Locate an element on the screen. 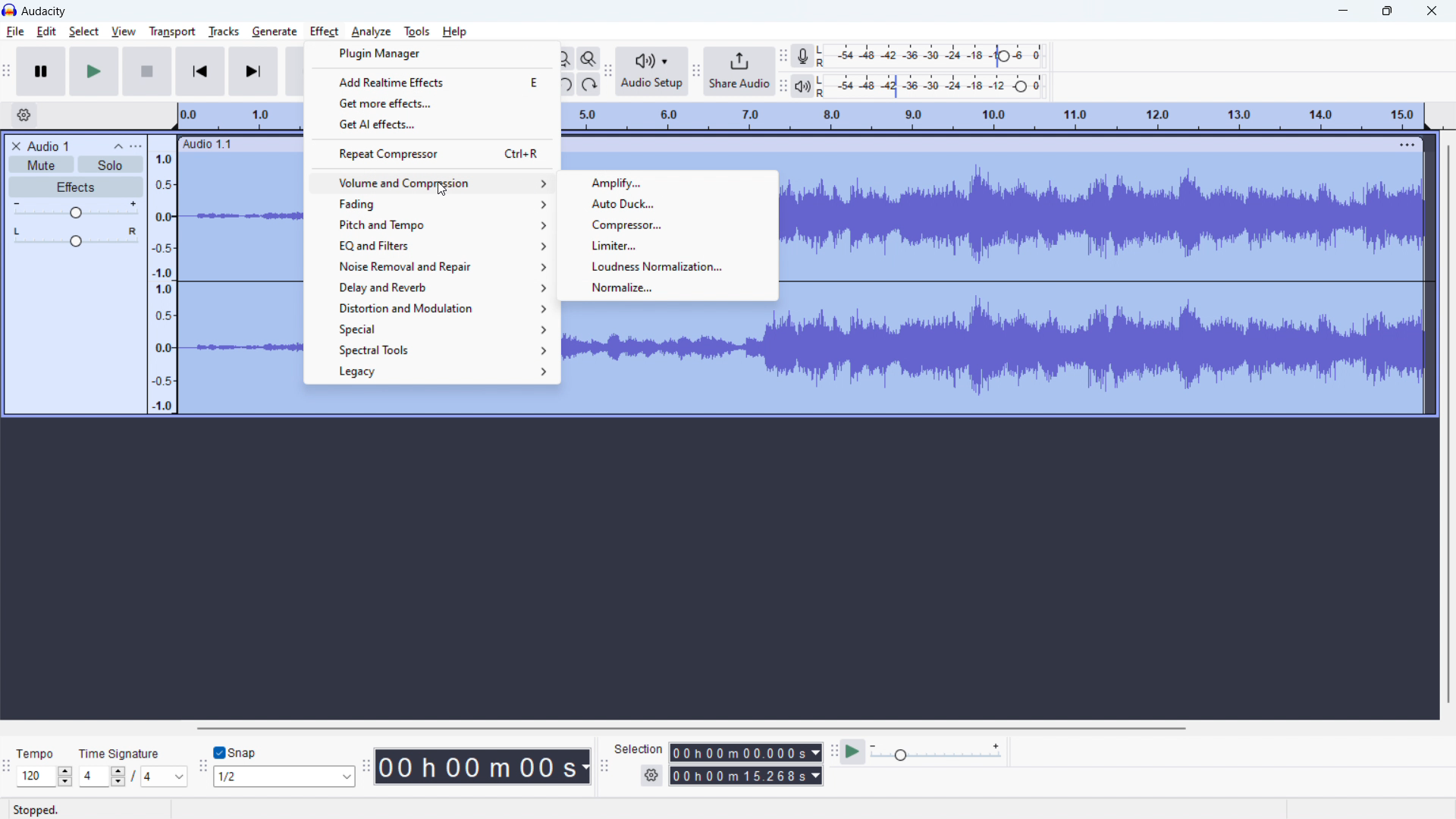 This screenshot has width=1456, height=819. vertical scrollbar is located at coordinates (1449, 419).